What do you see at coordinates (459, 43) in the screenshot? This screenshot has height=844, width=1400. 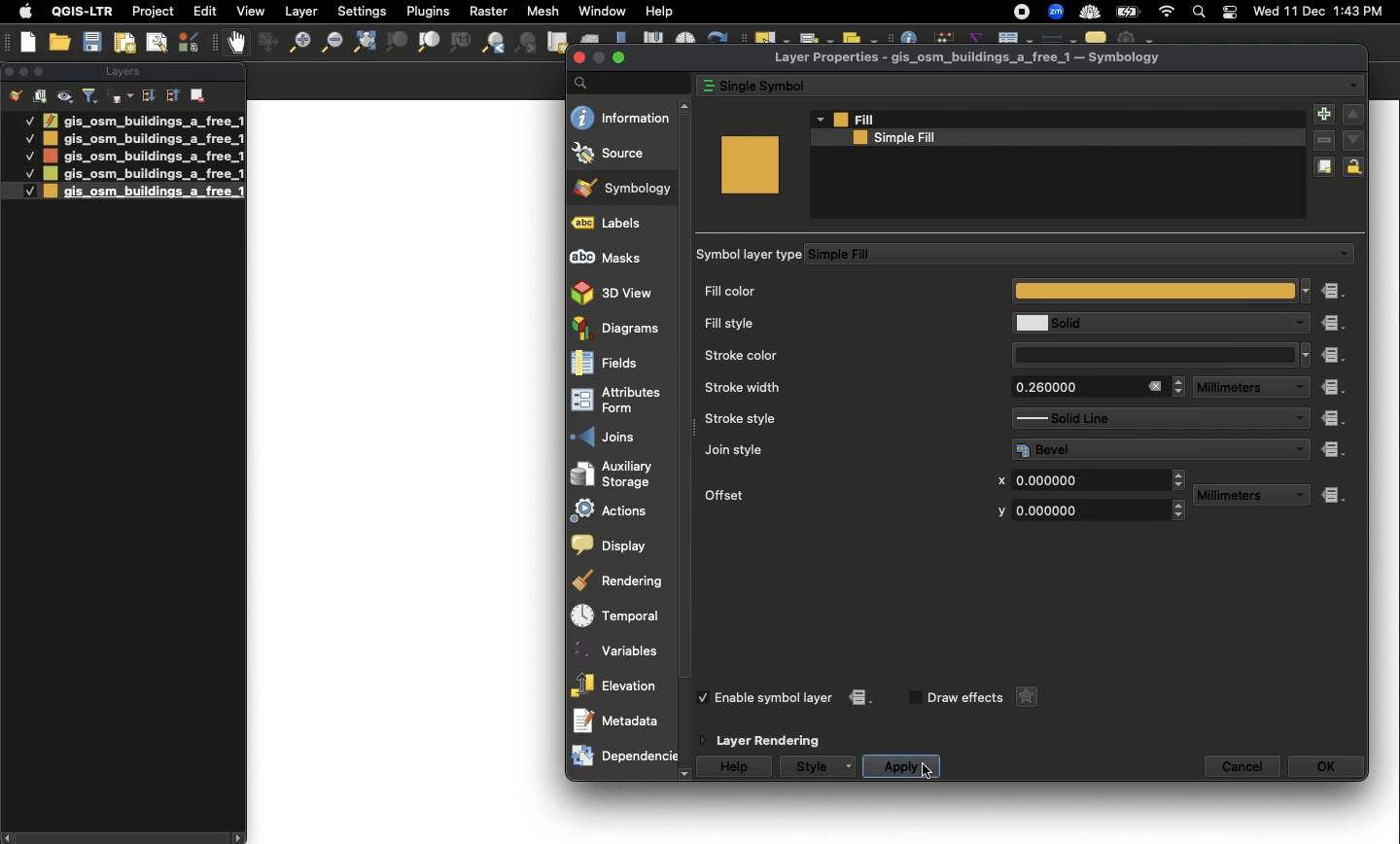 I see `1:1` at bounding box center [459, 43].